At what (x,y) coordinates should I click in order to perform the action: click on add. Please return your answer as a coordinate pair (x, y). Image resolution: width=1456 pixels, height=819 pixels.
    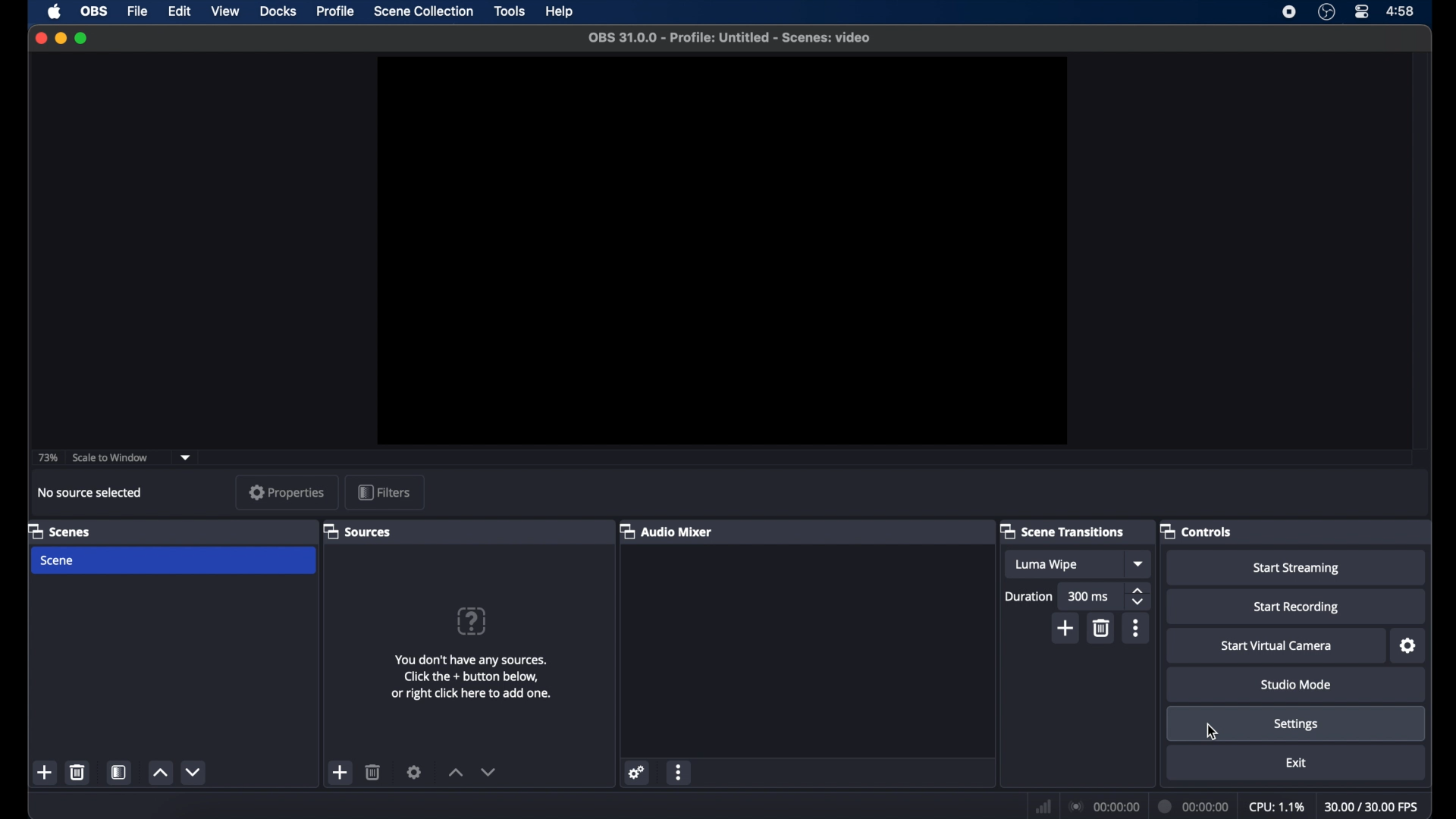
    Looking at the image, I should click on (45, 772).